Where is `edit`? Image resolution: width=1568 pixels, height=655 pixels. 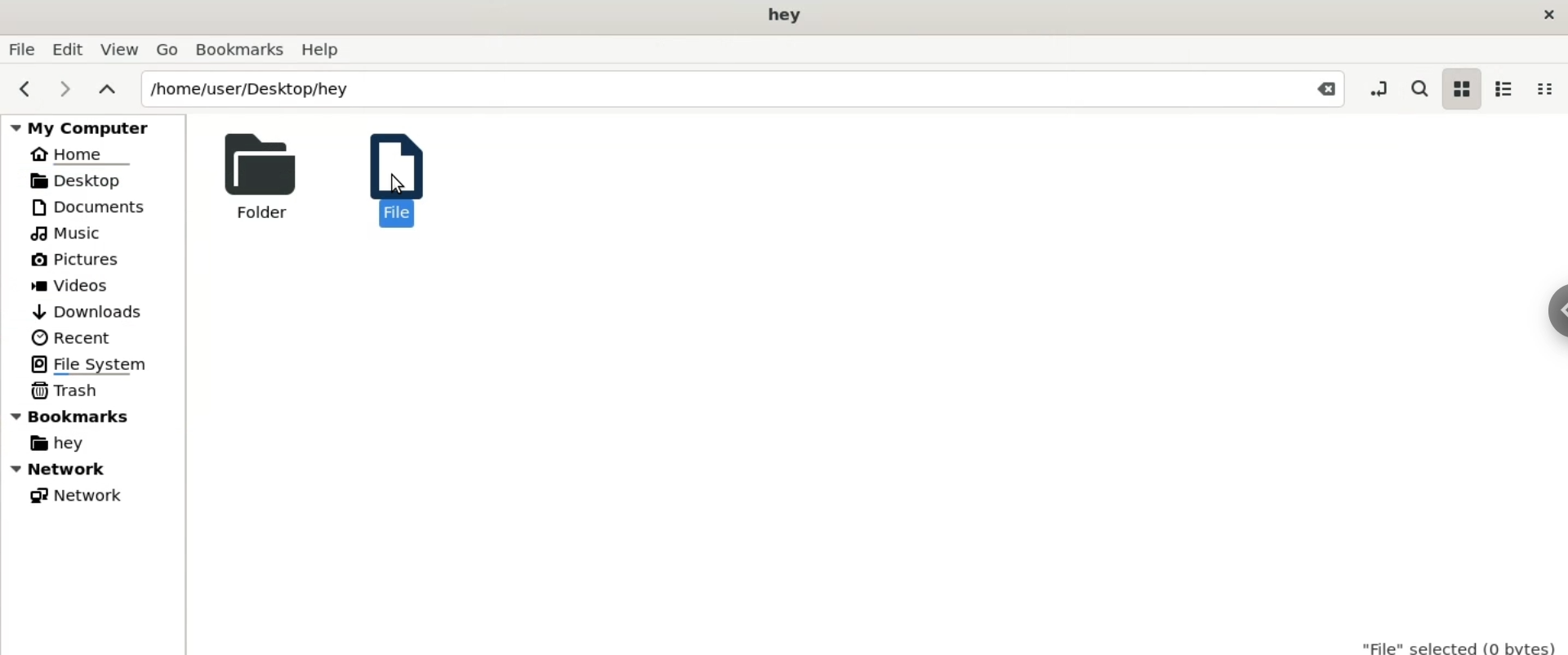 edit is located at coordinates (66, 49).